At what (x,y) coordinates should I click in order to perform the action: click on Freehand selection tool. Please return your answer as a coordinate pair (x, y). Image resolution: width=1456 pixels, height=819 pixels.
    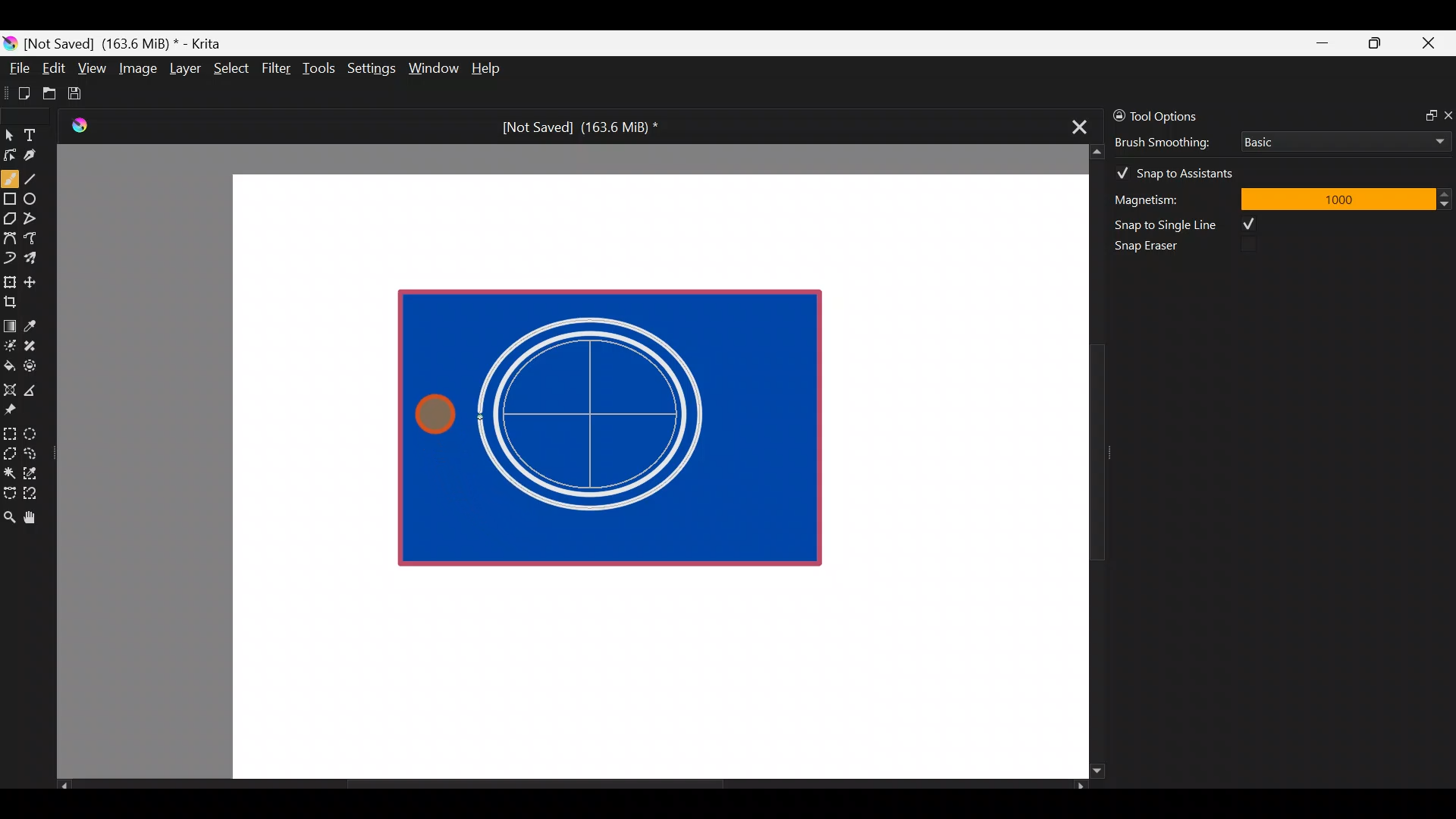
    Looking at the image, I should click on (33, 452).